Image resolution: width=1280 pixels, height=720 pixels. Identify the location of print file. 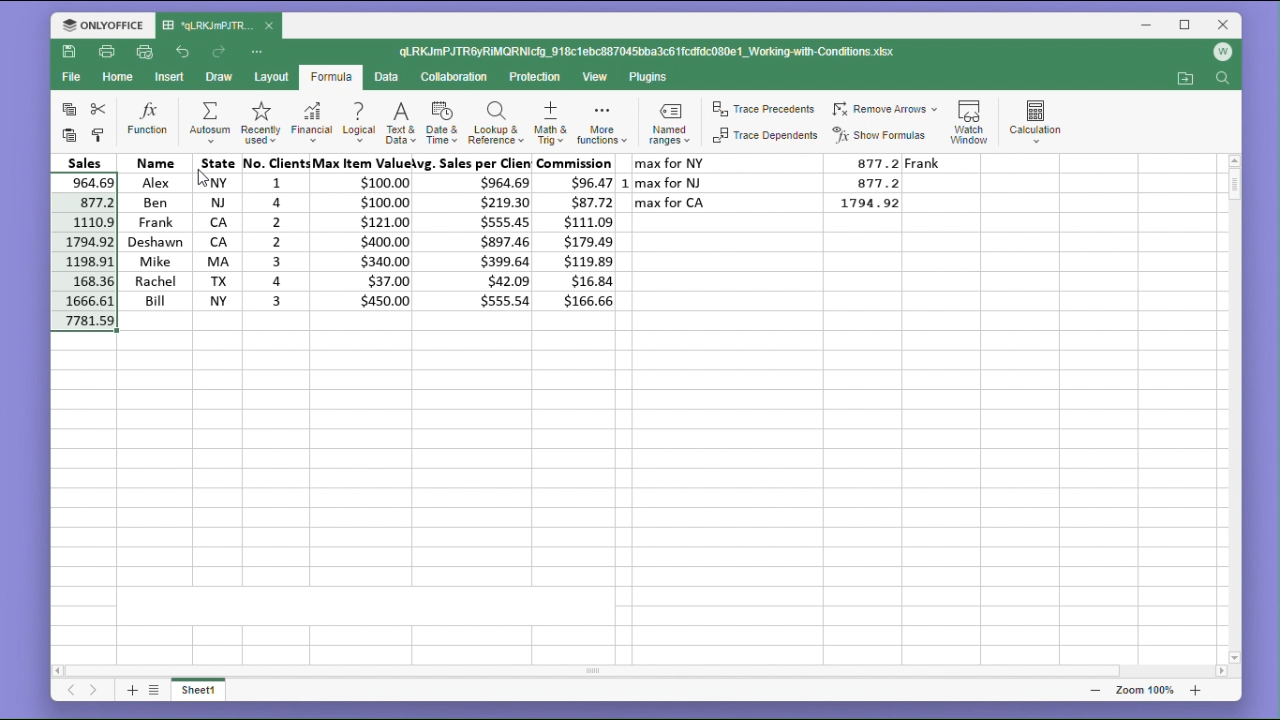
(108, 53).